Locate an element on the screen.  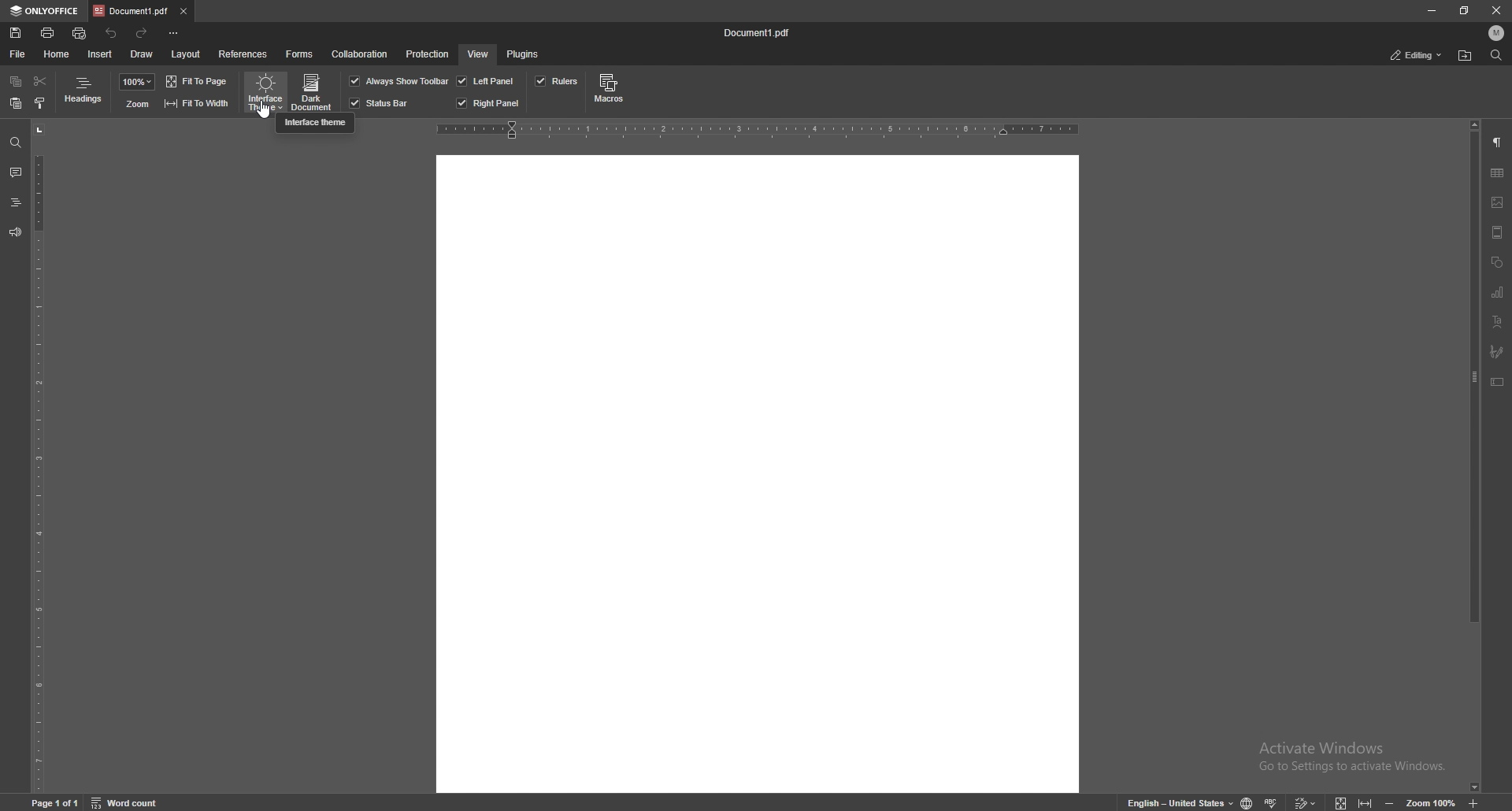
forms is located at coordinates (300, 54).